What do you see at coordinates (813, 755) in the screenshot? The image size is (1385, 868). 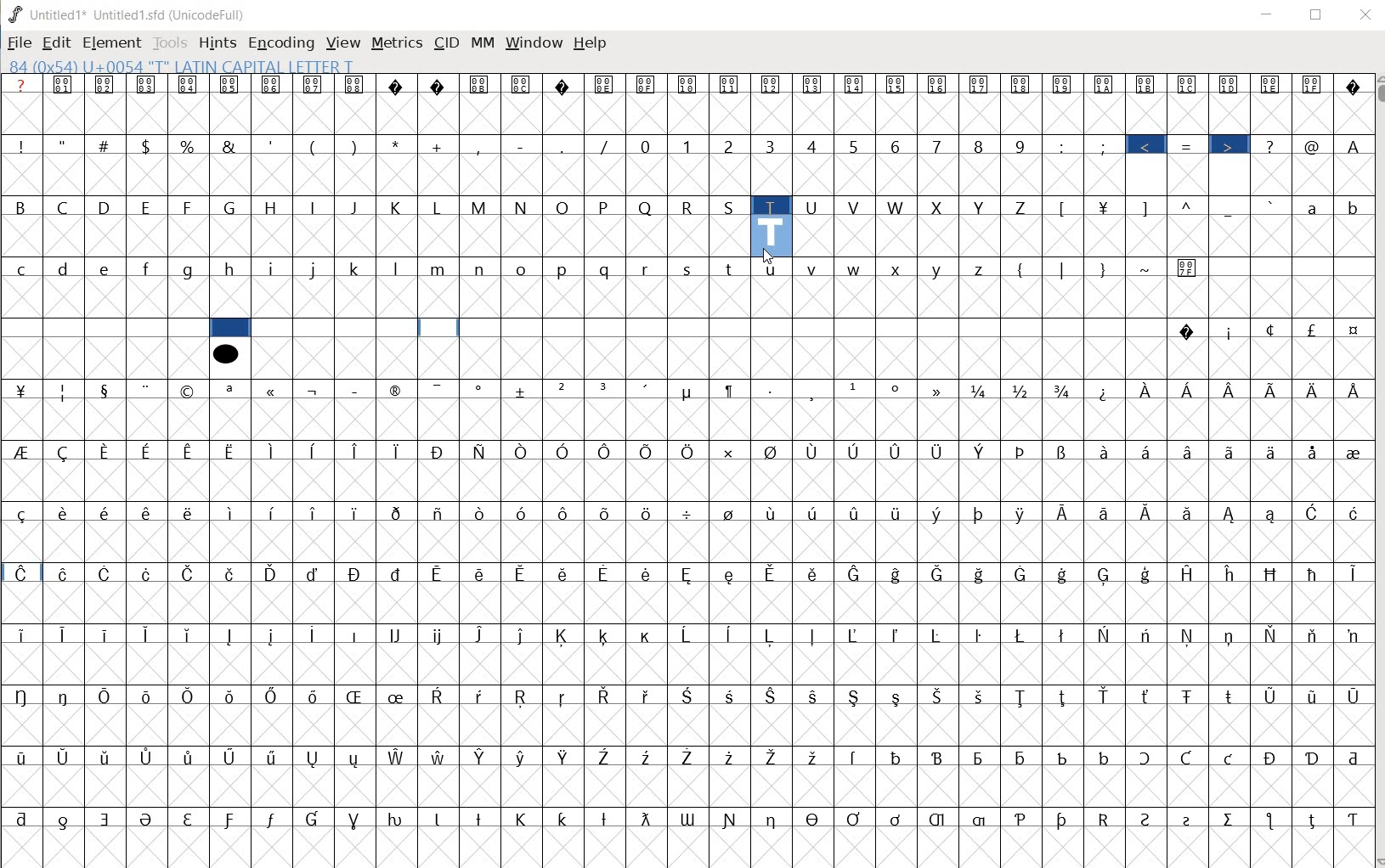 I see `Symbol` at bounding box center [813, 755].